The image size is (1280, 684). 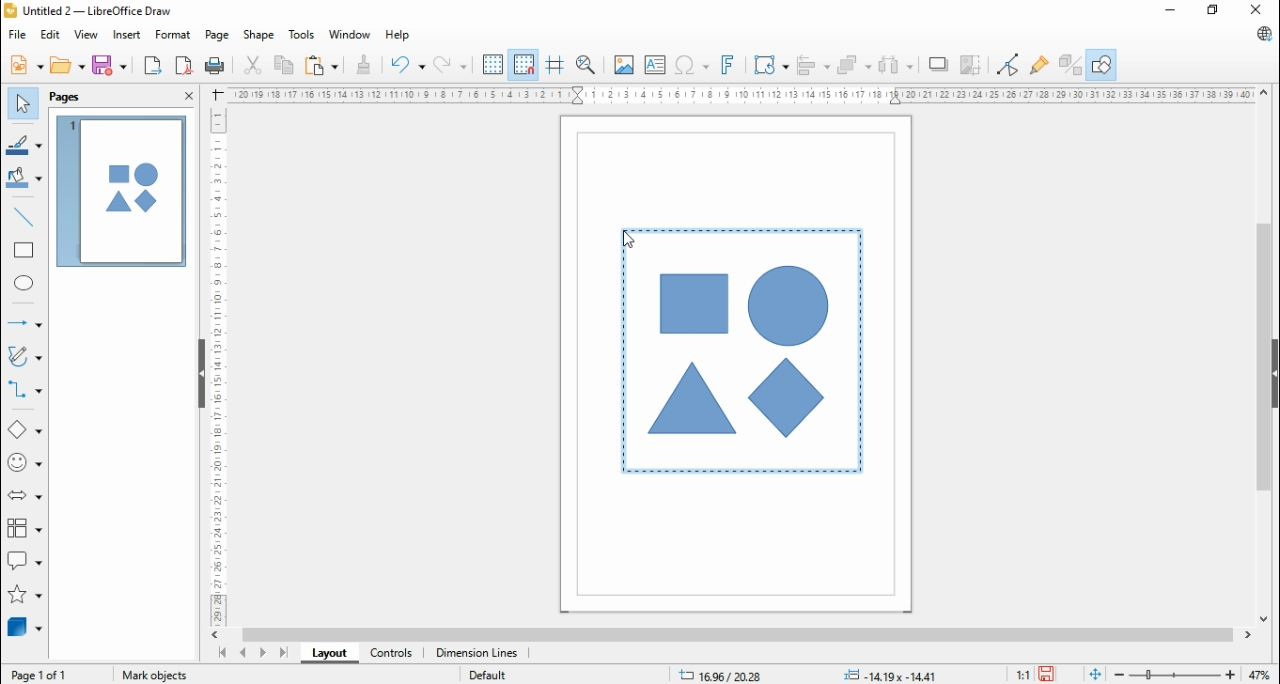 I want to click on page, so click(x=216, y=36).